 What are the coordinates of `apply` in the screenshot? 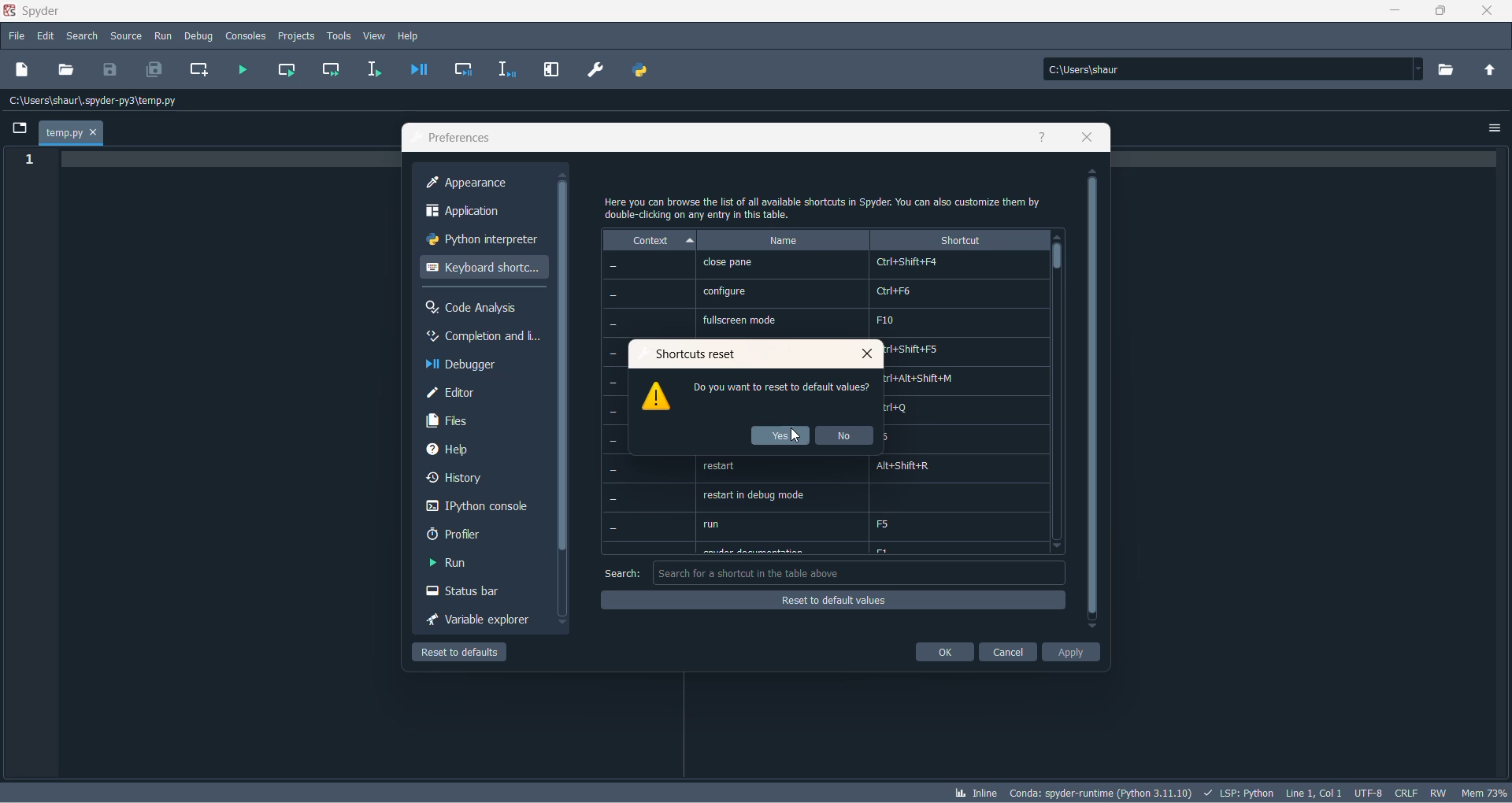 It's located at (1070, 653).